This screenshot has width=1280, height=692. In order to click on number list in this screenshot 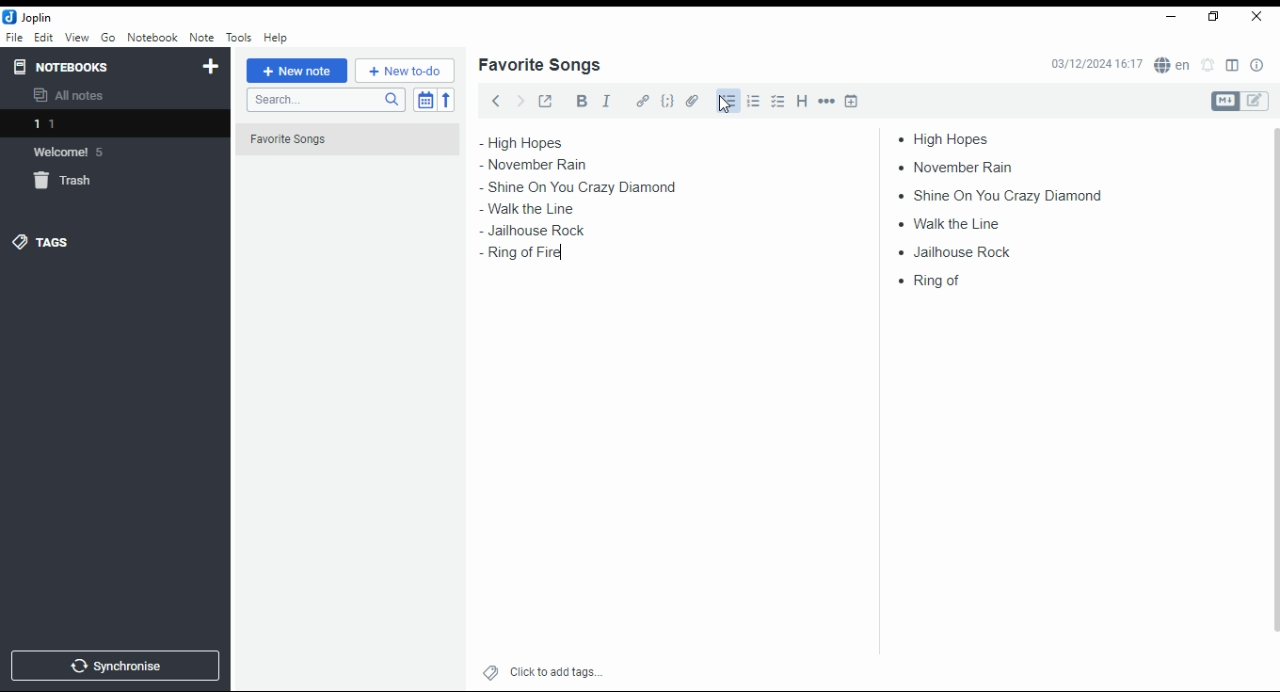, I will do `click(754, 100)`.